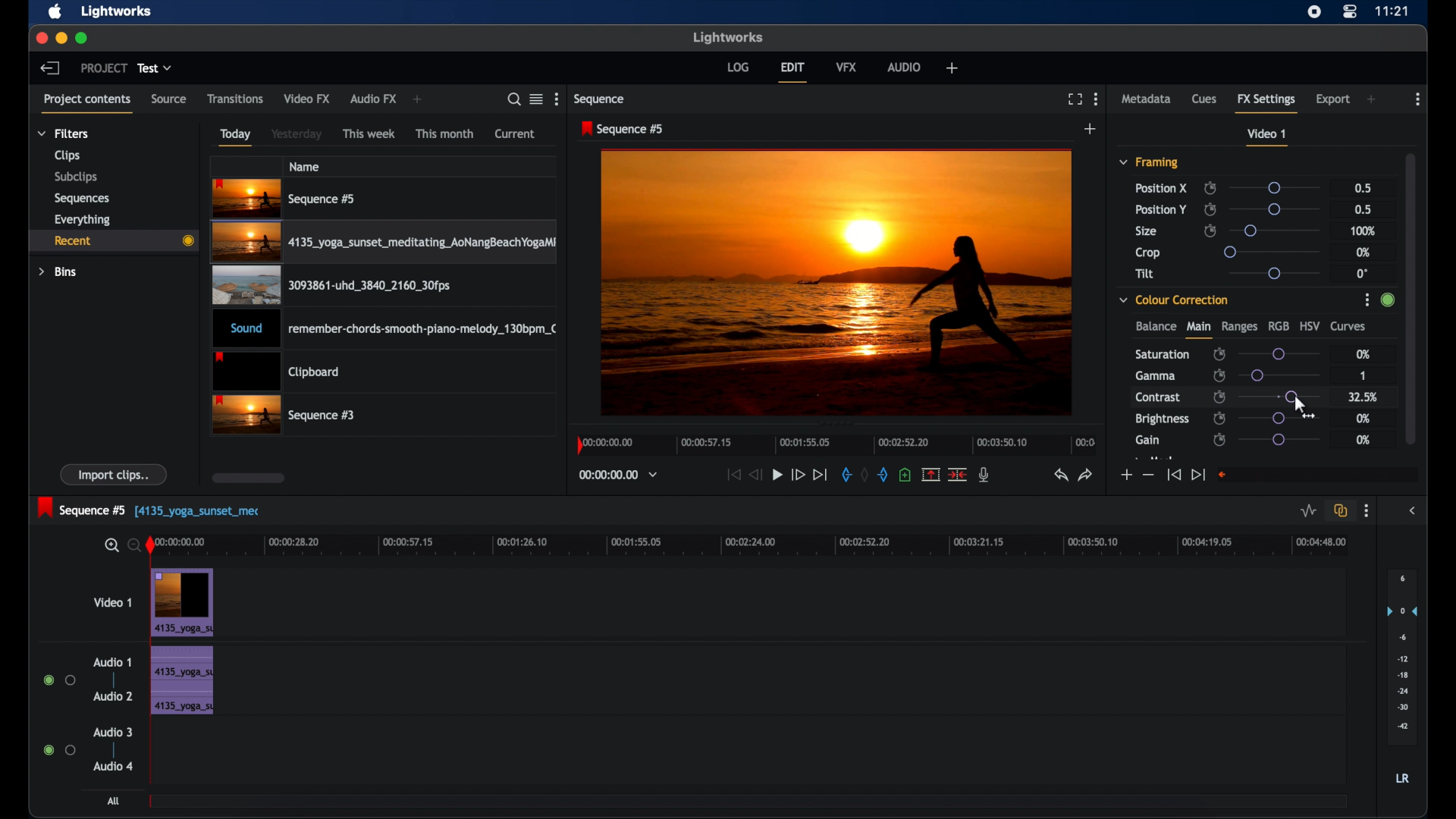 The image size is (1456, 819). What do you see at coordinates (1148, 475) in the screenshot?
I see `decrement` at bounding box center [1148, 475].